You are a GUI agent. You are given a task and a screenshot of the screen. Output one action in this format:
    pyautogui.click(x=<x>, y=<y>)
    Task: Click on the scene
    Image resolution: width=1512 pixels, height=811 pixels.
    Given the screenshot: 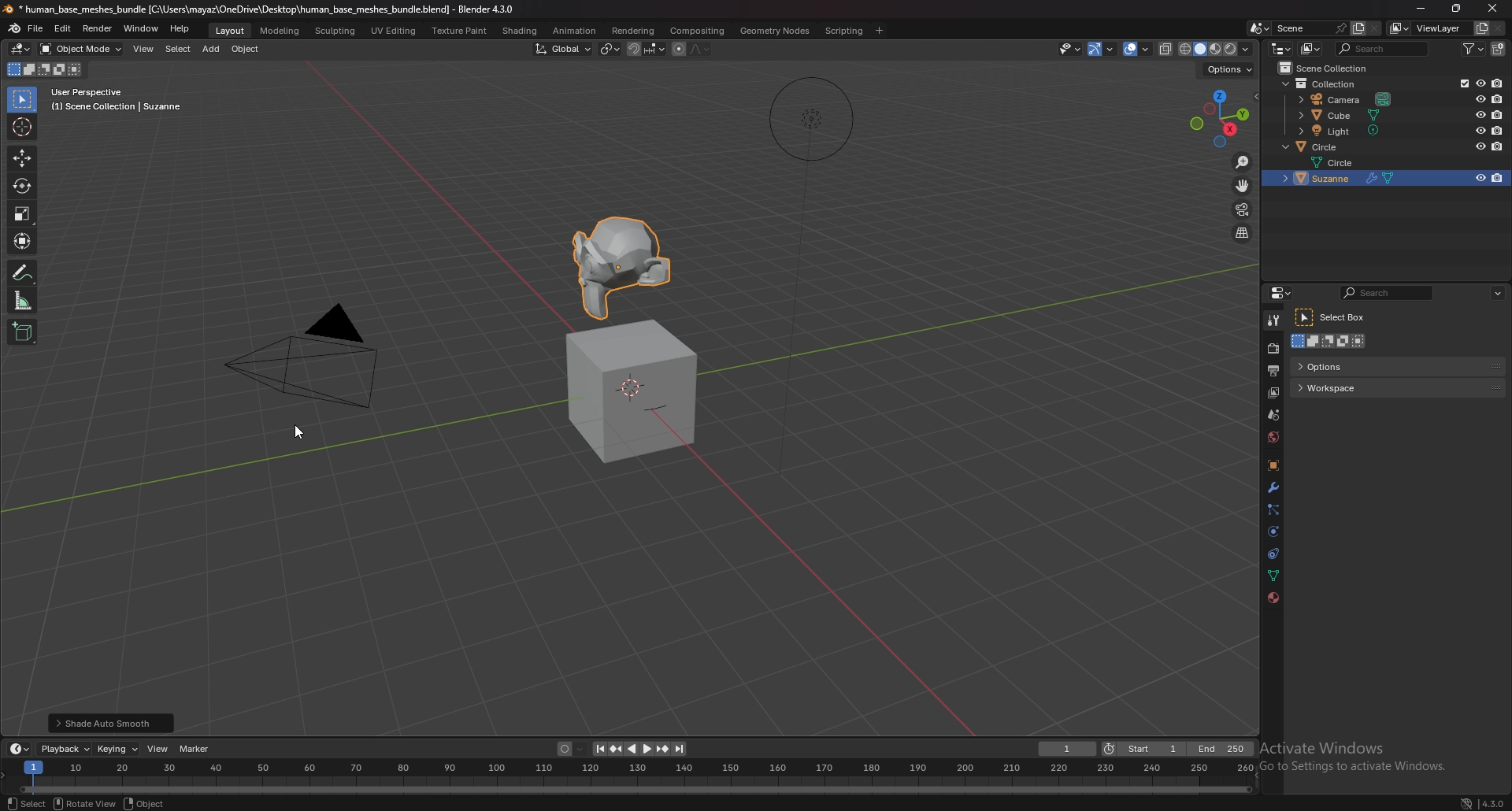 What is the action you would take?
    pyautogui.click(x=1296, y=28)
    